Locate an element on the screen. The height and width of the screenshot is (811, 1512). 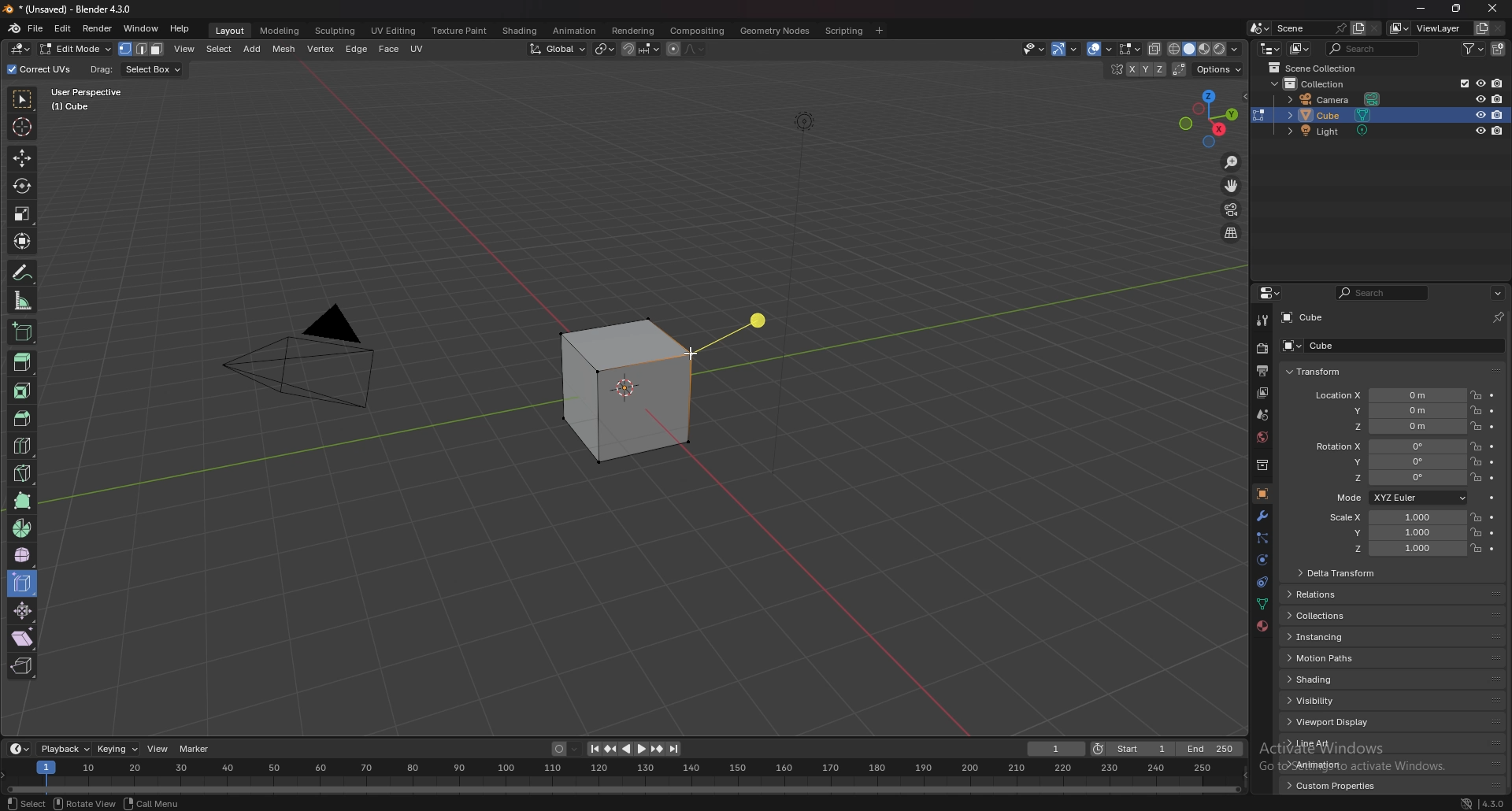
add cube is located at coordinates (21, 332).